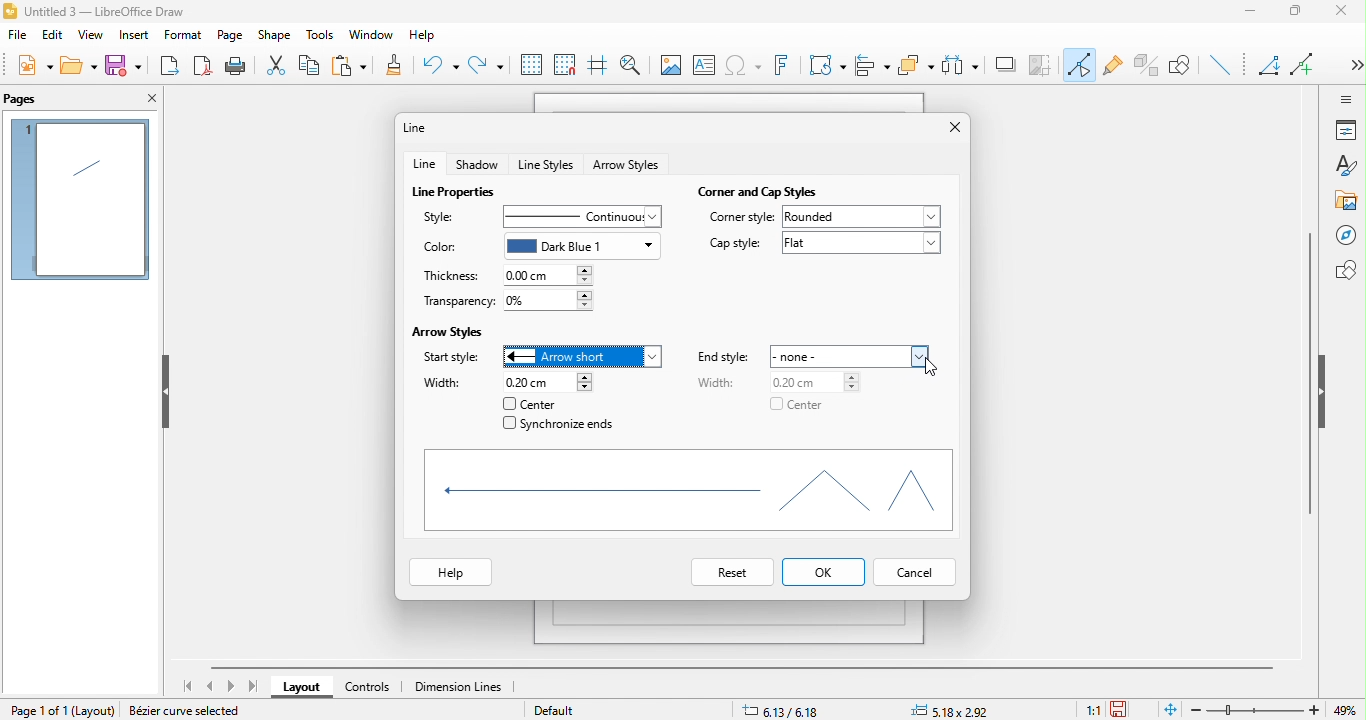 This screenshot has height=720, width=1366. Describe the element at coordinates (1272, 68) in the screenshot. I see `Angled line` at that location.